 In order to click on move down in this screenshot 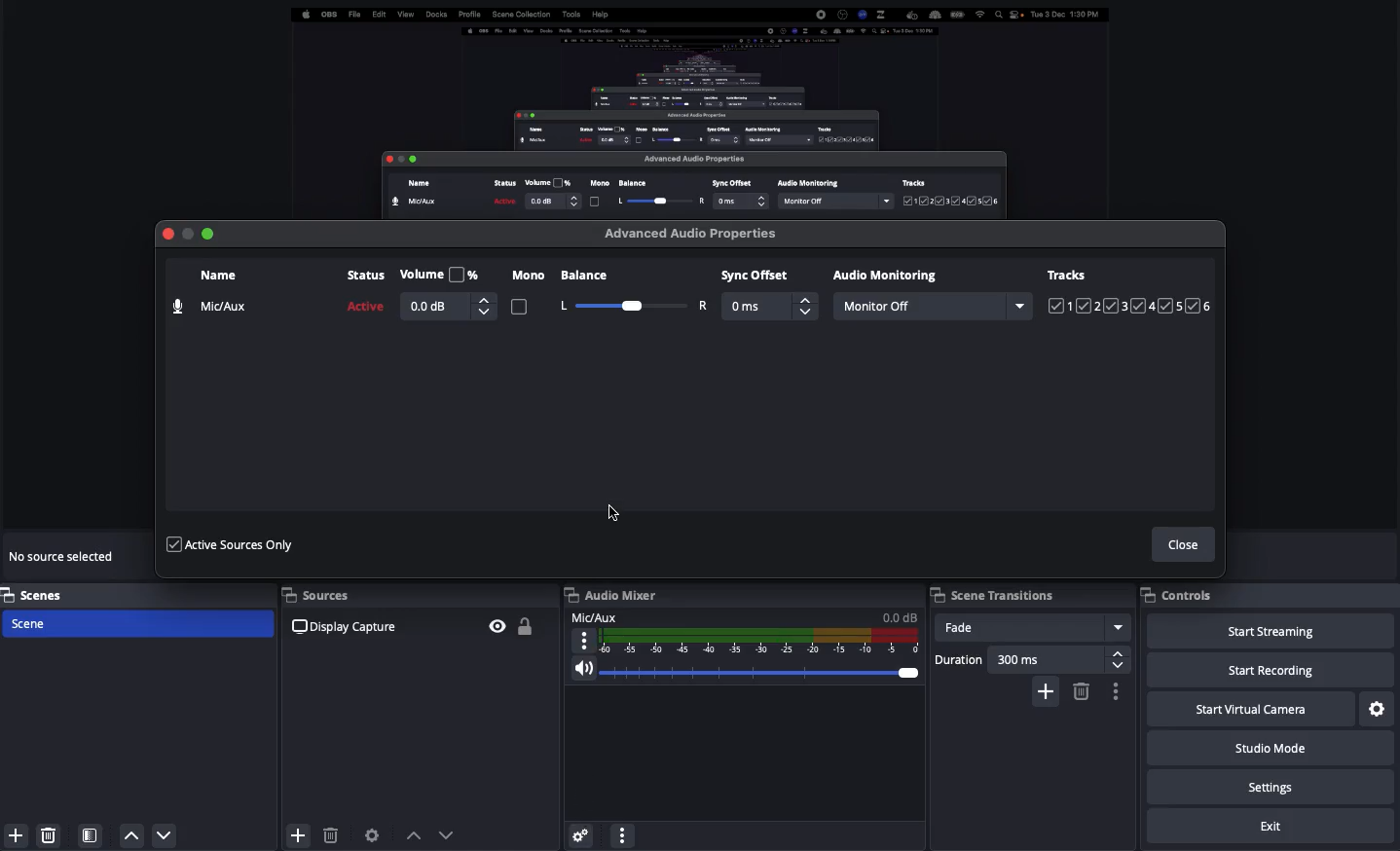, I will do `click(167, 829)`.